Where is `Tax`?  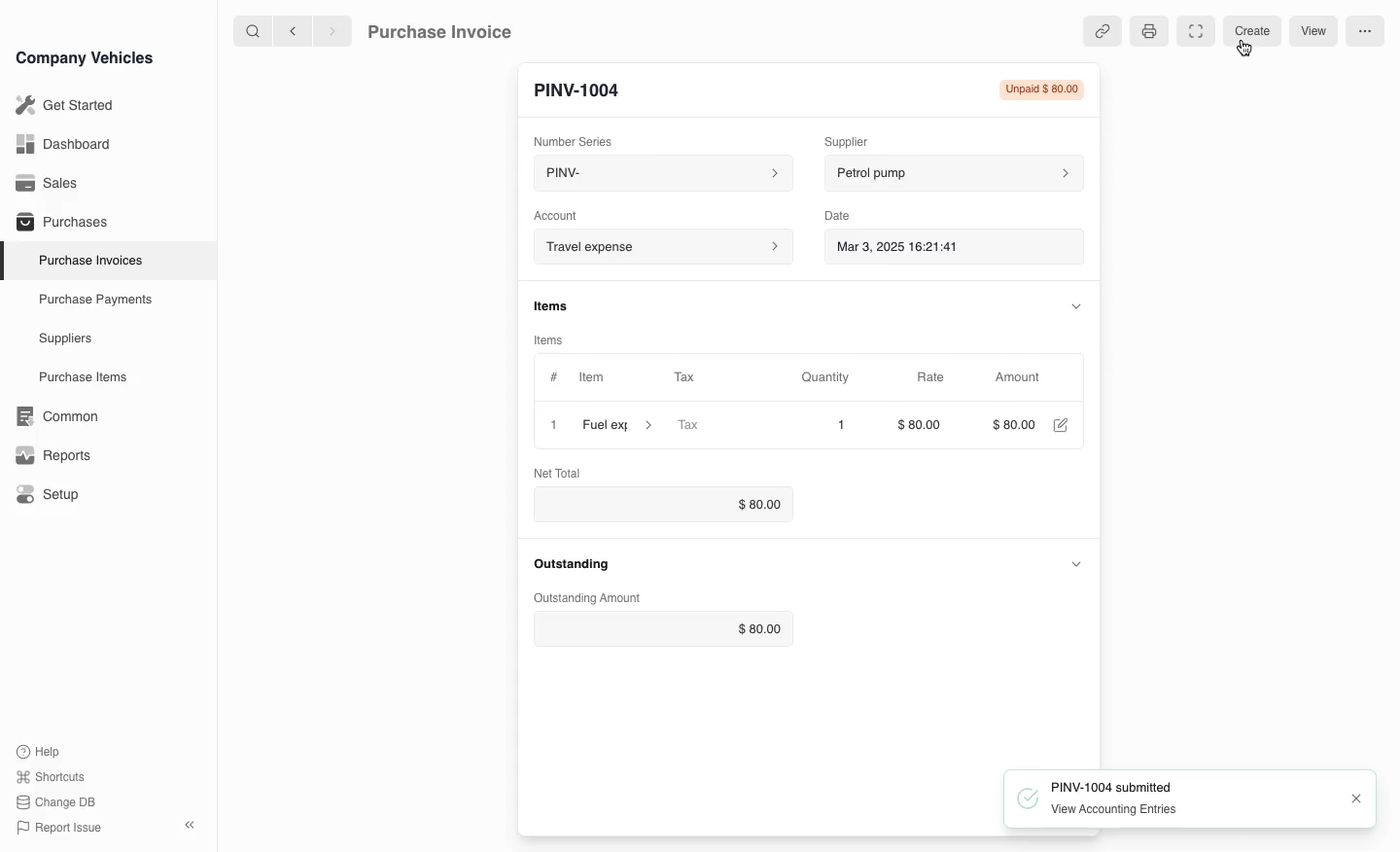
Tax is located at coordinates (693, 378).